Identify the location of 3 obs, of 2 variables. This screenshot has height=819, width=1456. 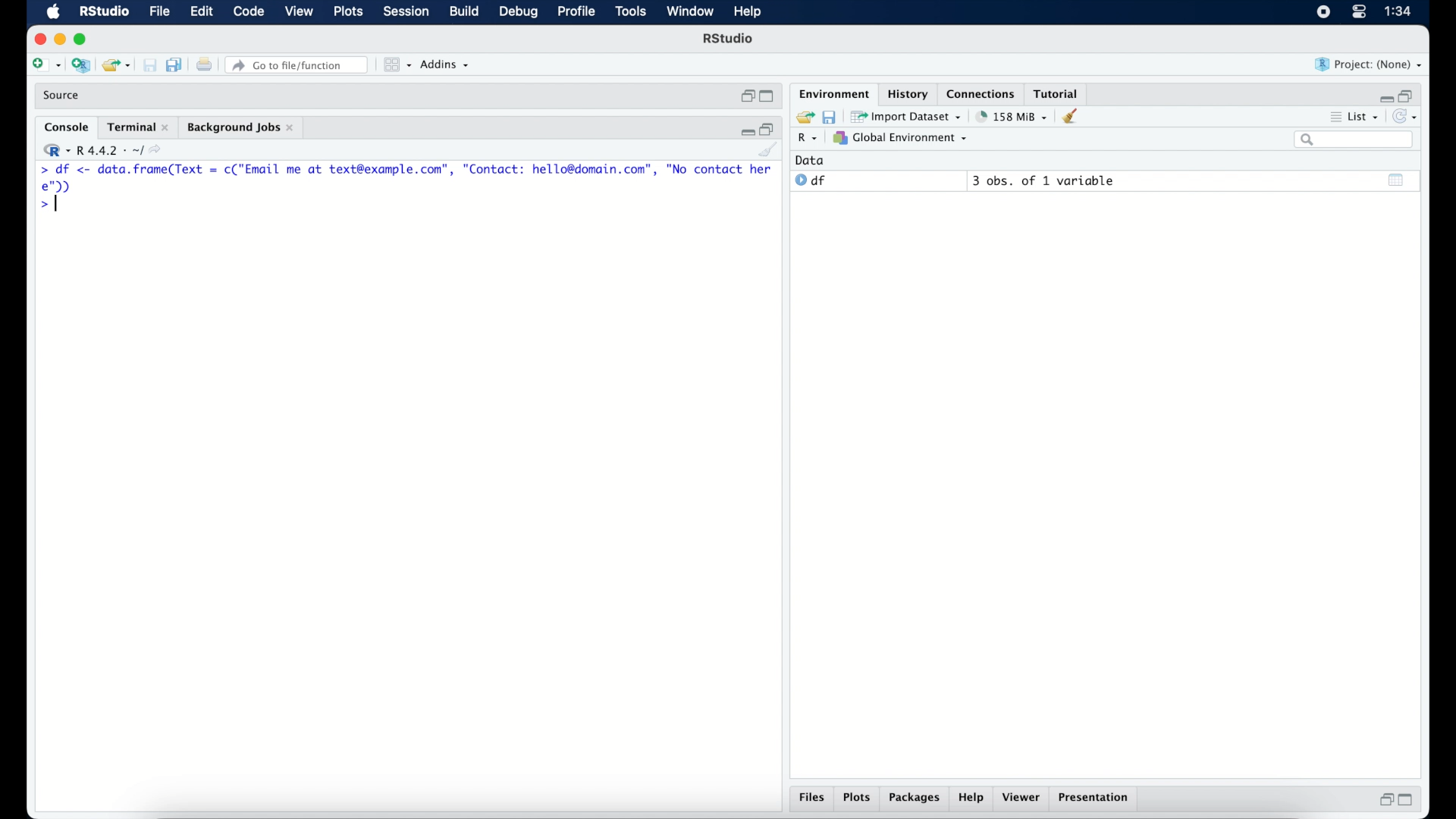
(1047, 180).